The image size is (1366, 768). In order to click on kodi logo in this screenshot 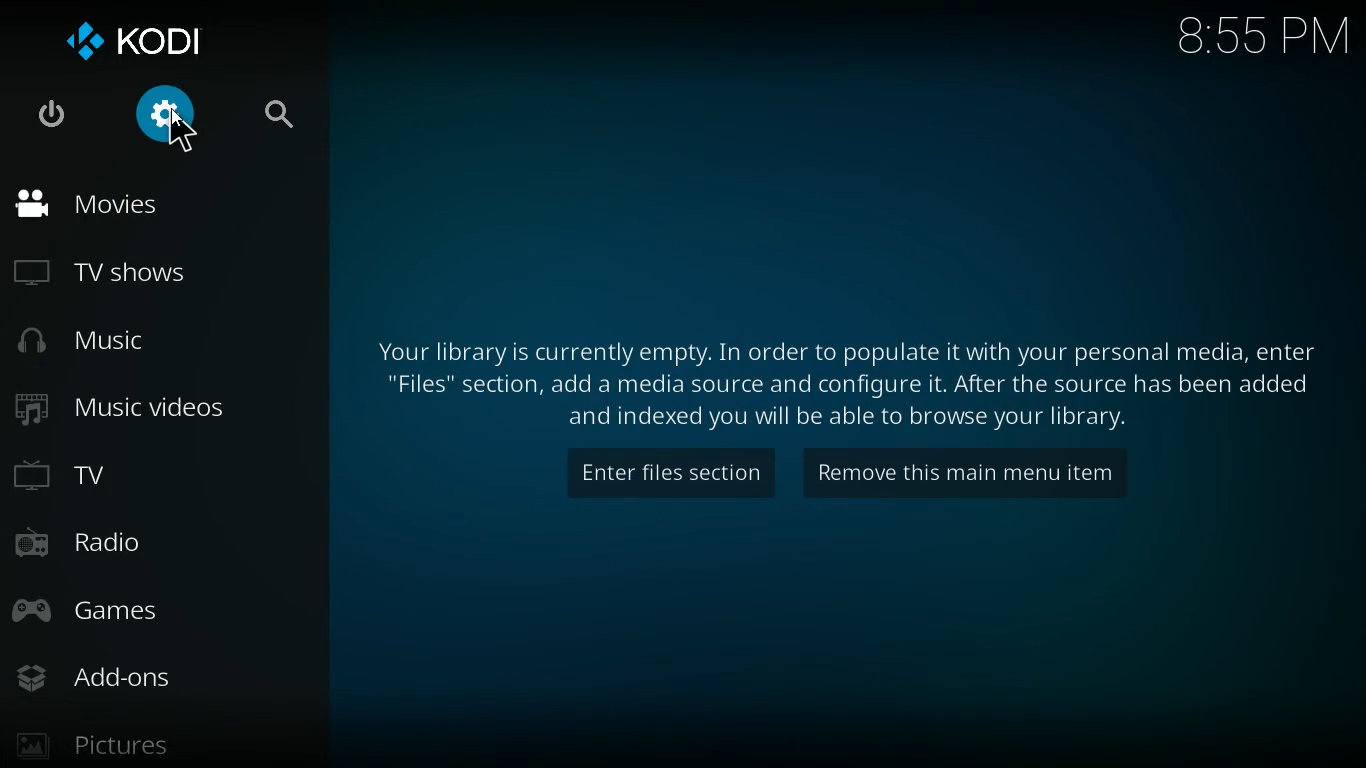, I will do `click(150, 41)`.